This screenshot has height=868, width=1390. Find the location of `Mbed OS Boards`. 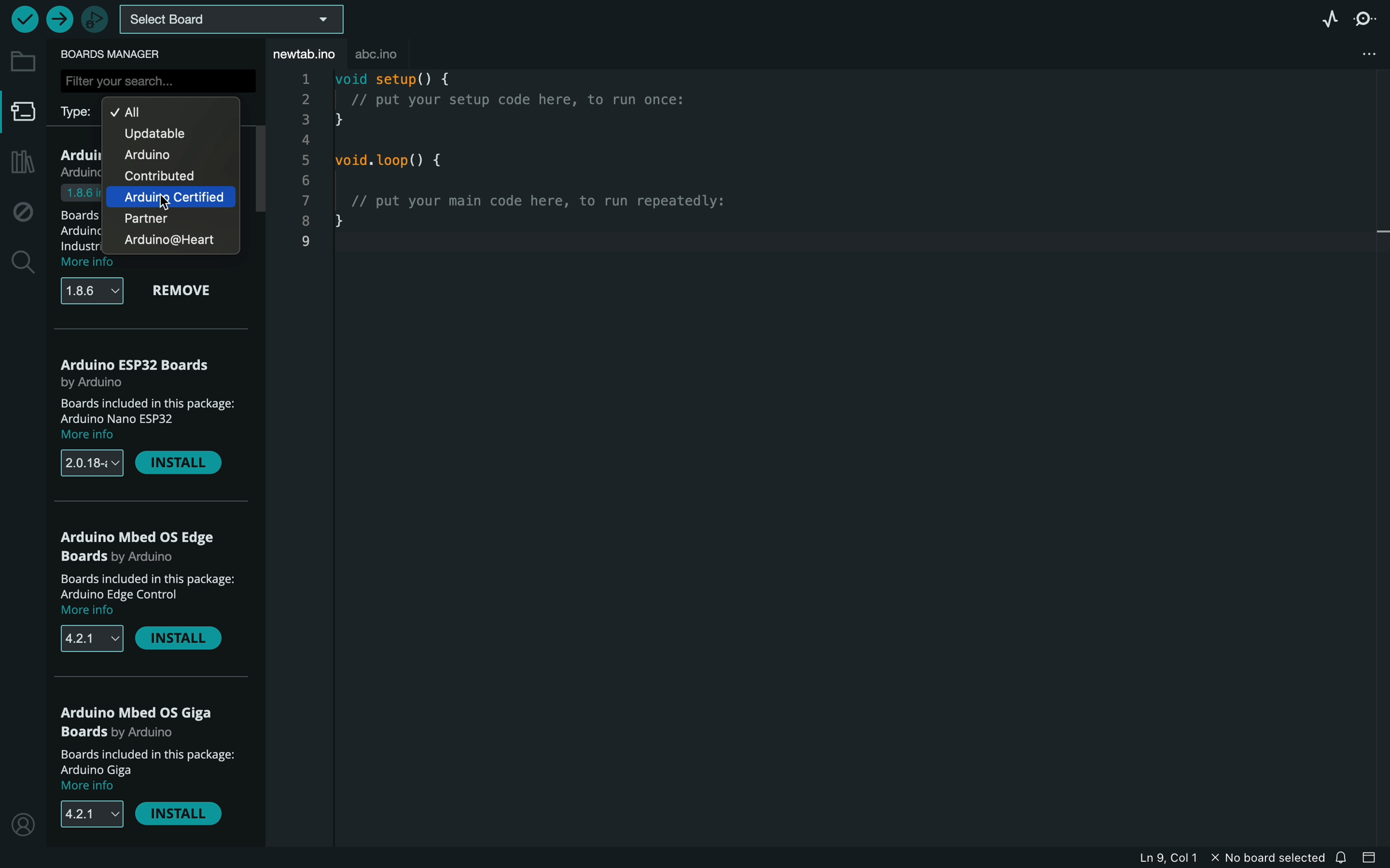

Mbed OS Boards is located at coordinates (148, 547).